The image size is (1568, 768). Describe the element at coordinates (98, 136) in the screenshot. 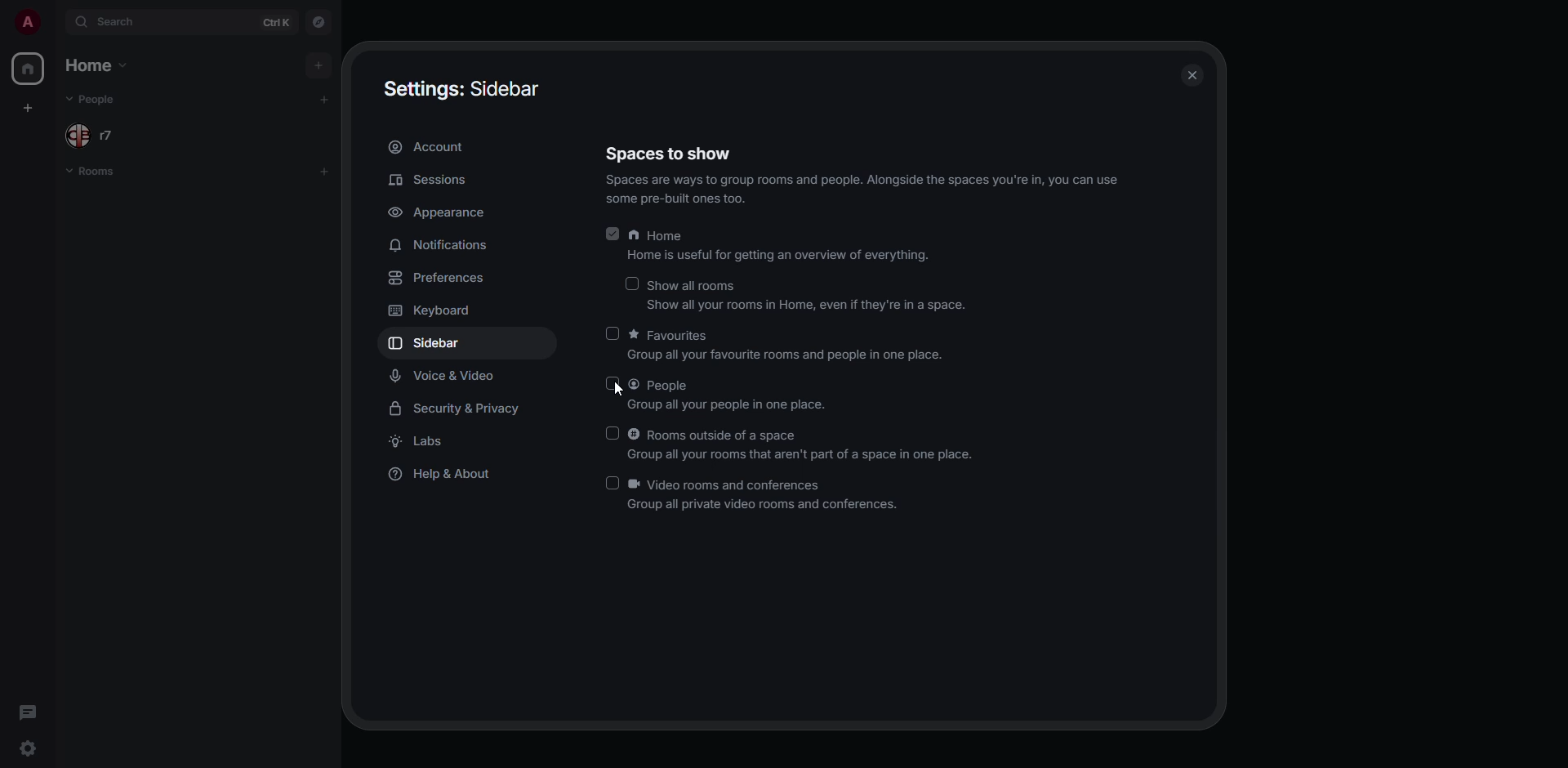

I see `people` at that location.